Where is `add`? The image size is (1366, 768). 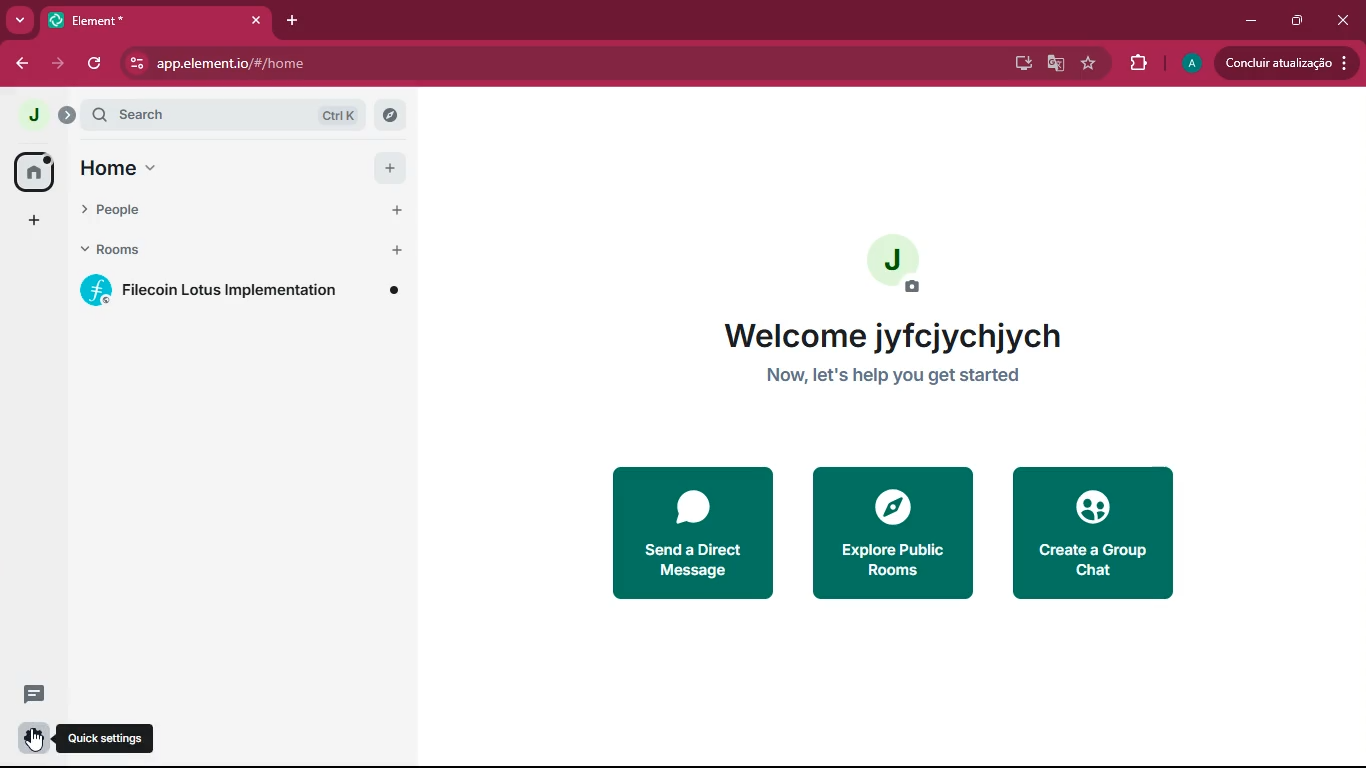
add is located at coordinates (35, 219).